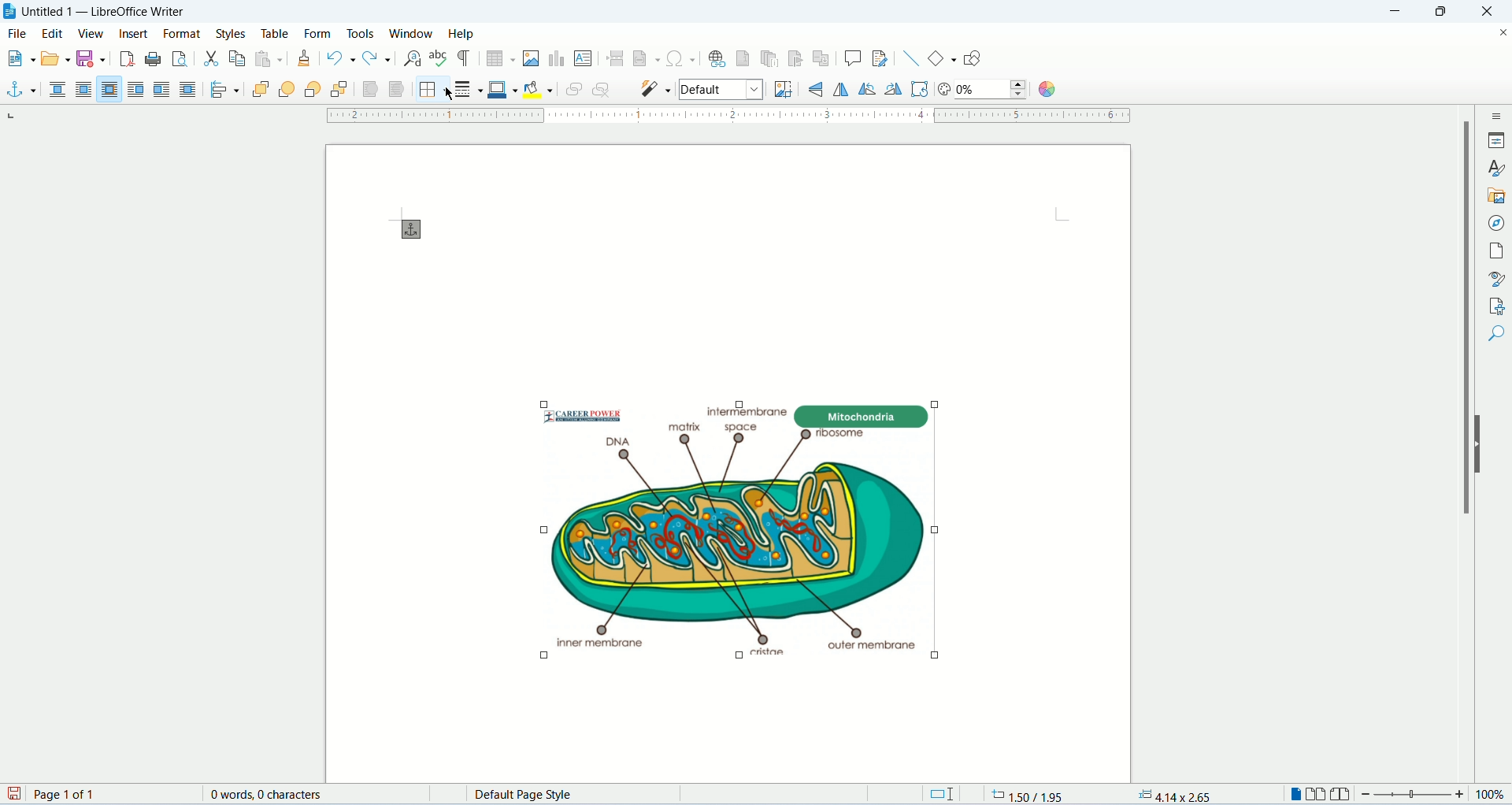  What do you see at coordinates (54, 32) in the screenshot?
I see `edit` at bounding box center [54, 32].